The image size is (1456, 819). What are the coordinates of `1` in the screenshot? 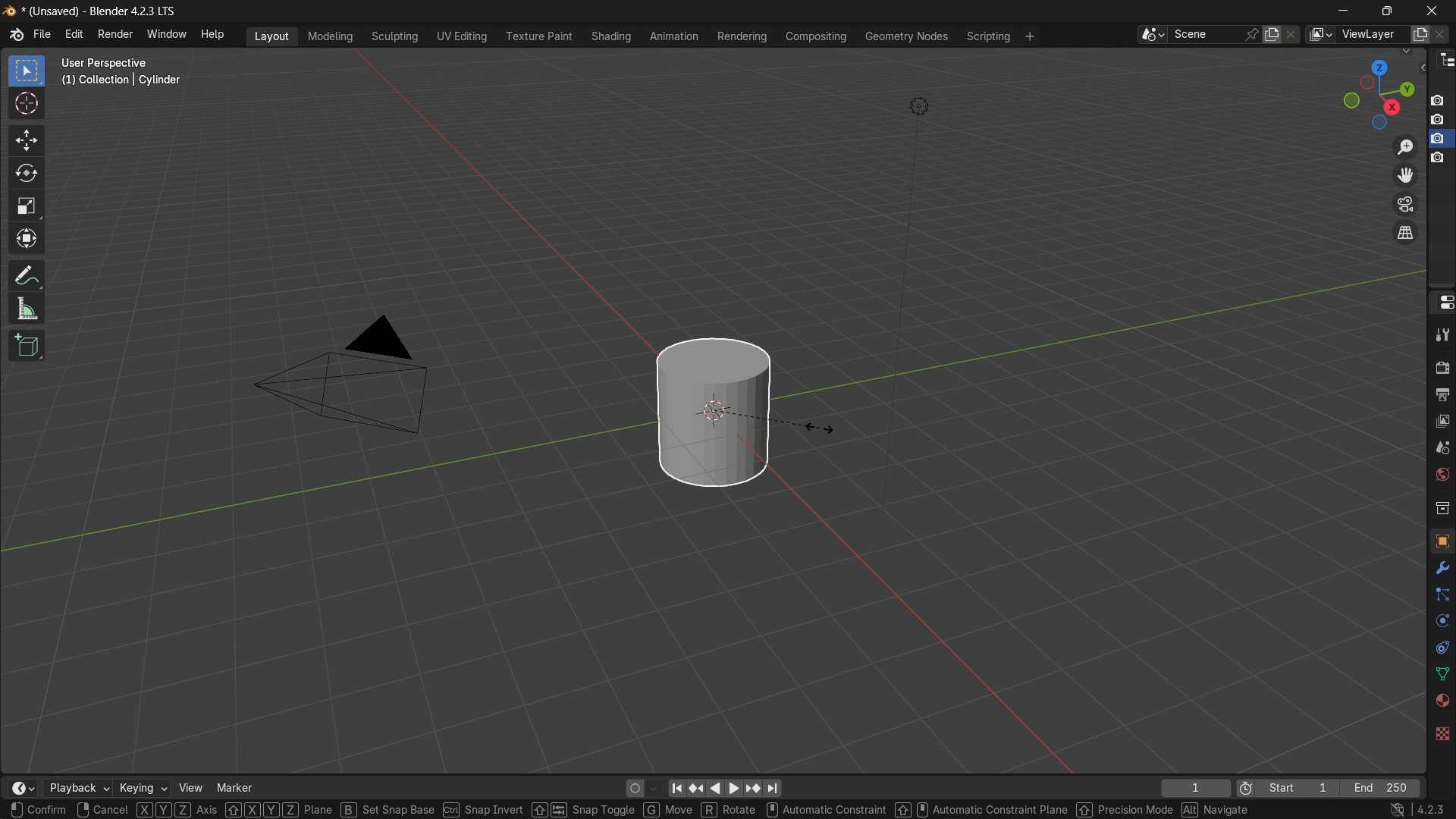 It's located at (1194, 789).